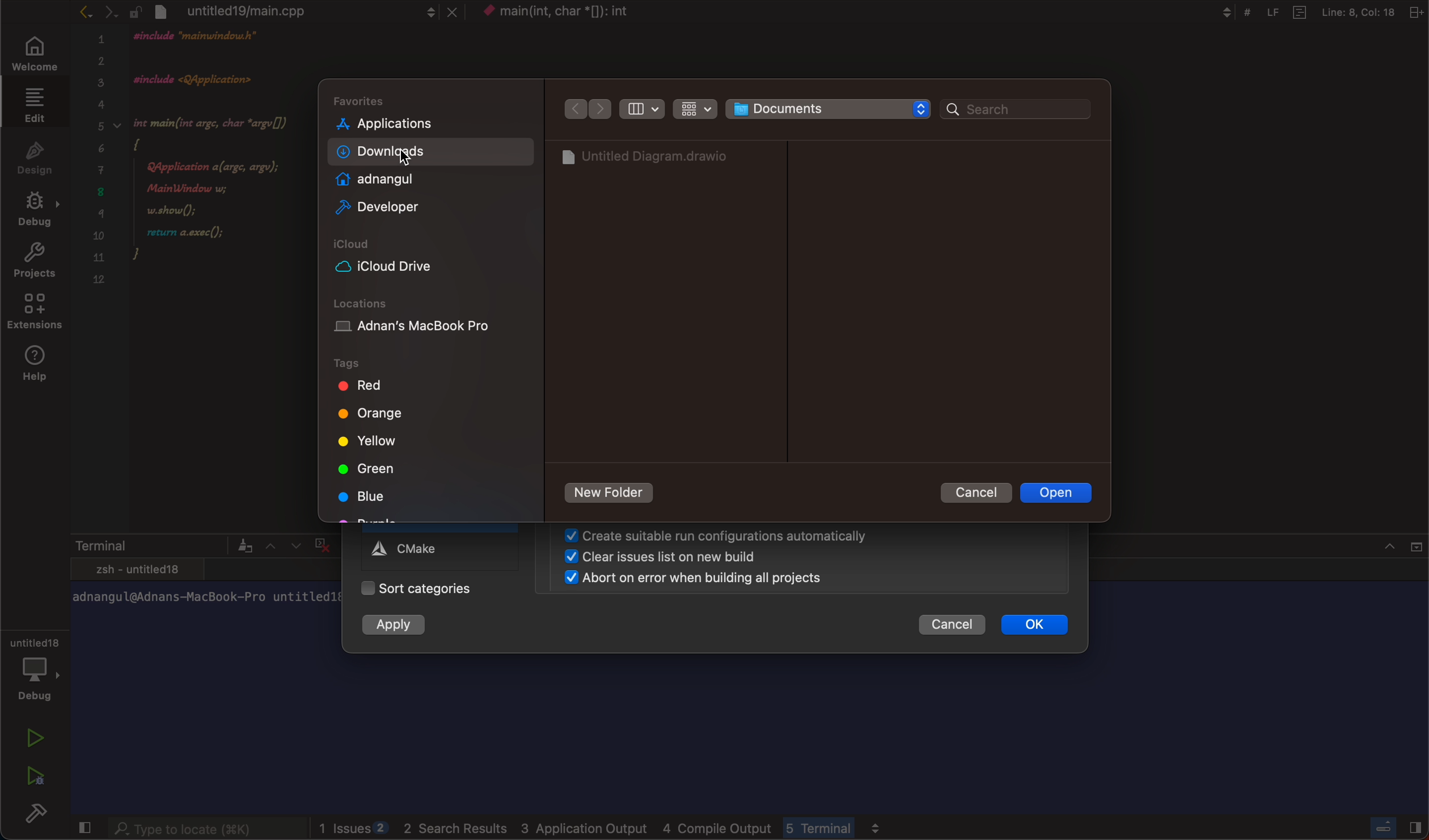  I want to click on cmake, so click(410, 548).